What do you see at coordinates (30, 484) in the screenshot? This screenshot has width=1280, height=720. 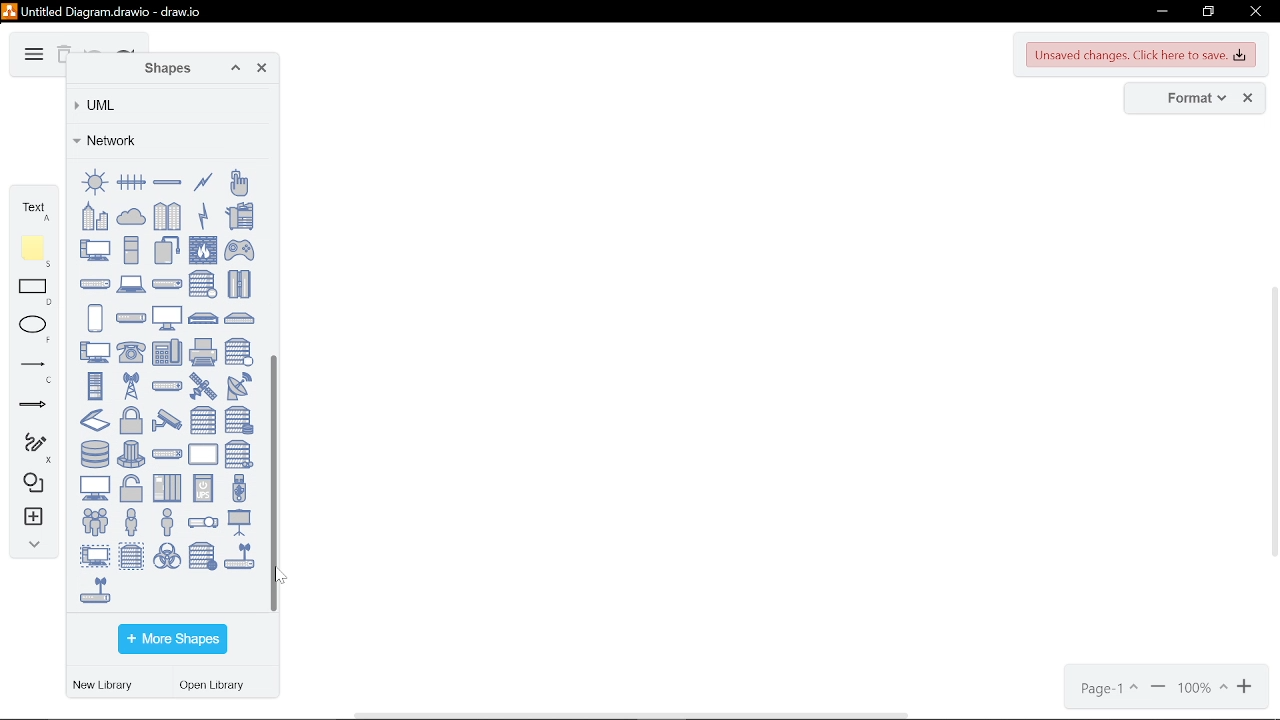 I see `shapes` at bounding box center [30, 484].